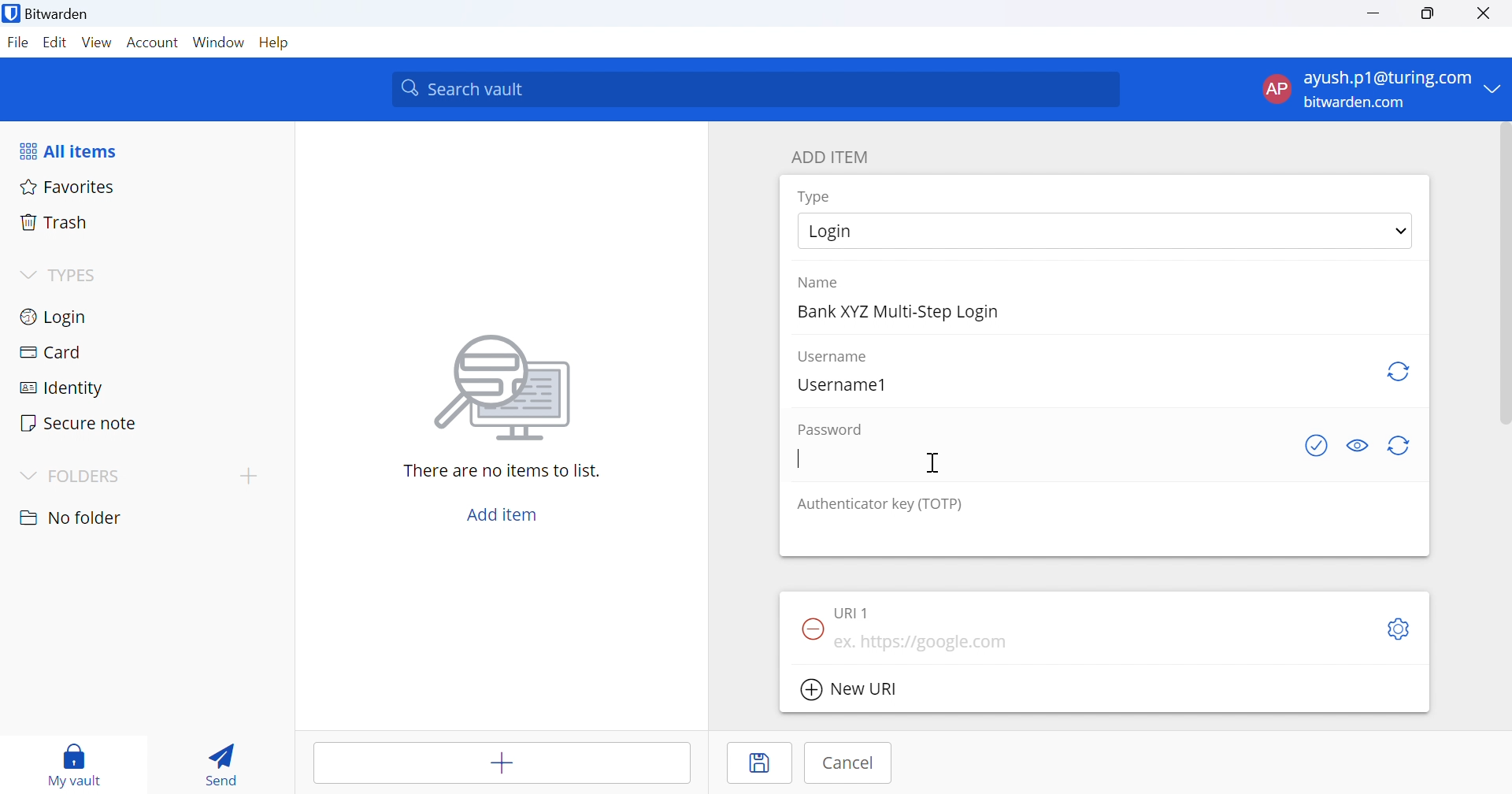 This screenshot has width=1512, height=794. What do you see at coordinates (758, 89) in the screenshot?
I see `Search vault` at bounding box center [758, 89].